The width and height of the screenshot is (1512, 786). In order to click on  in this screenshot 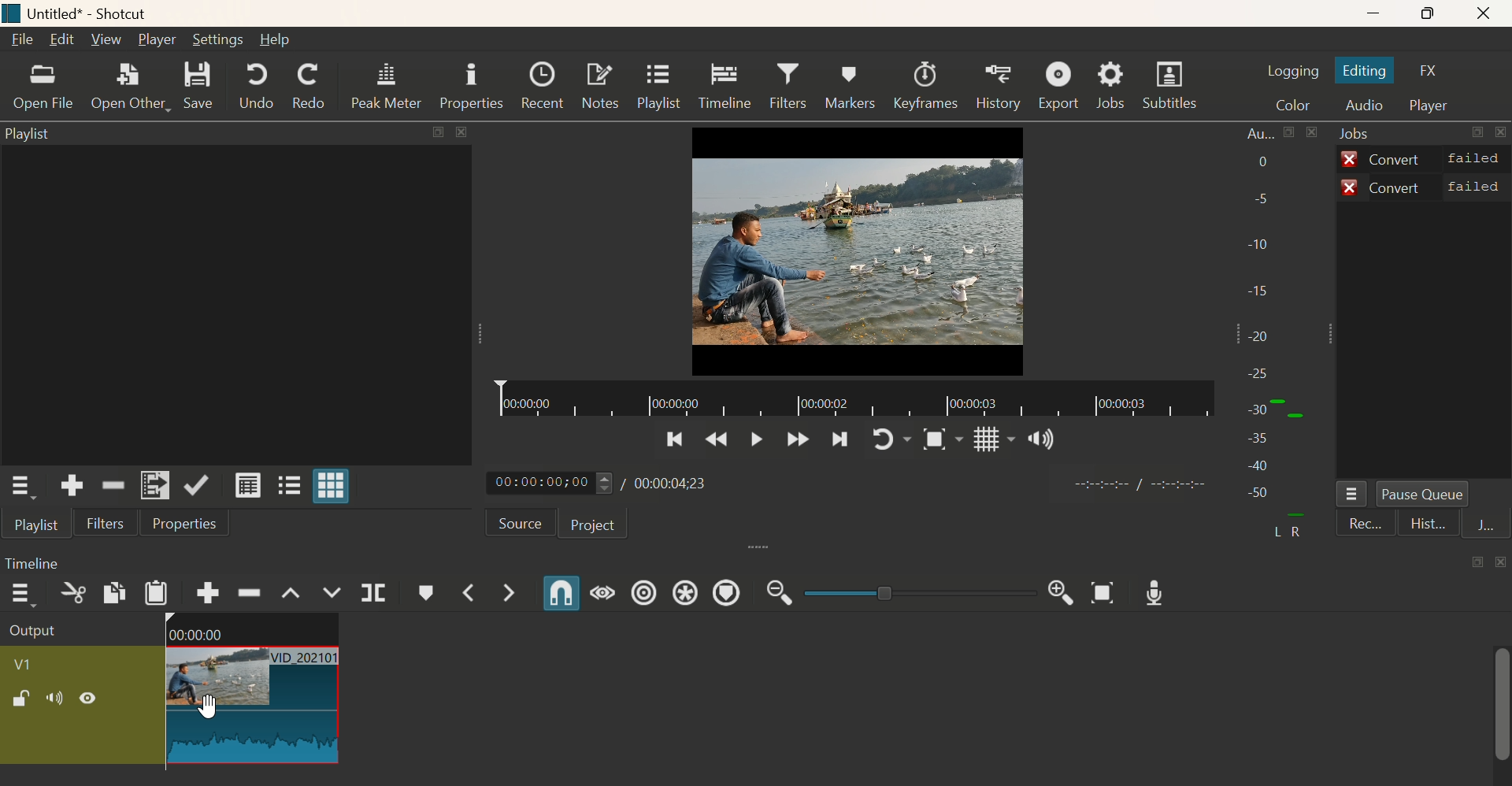, I will do `click(103, 525)`.